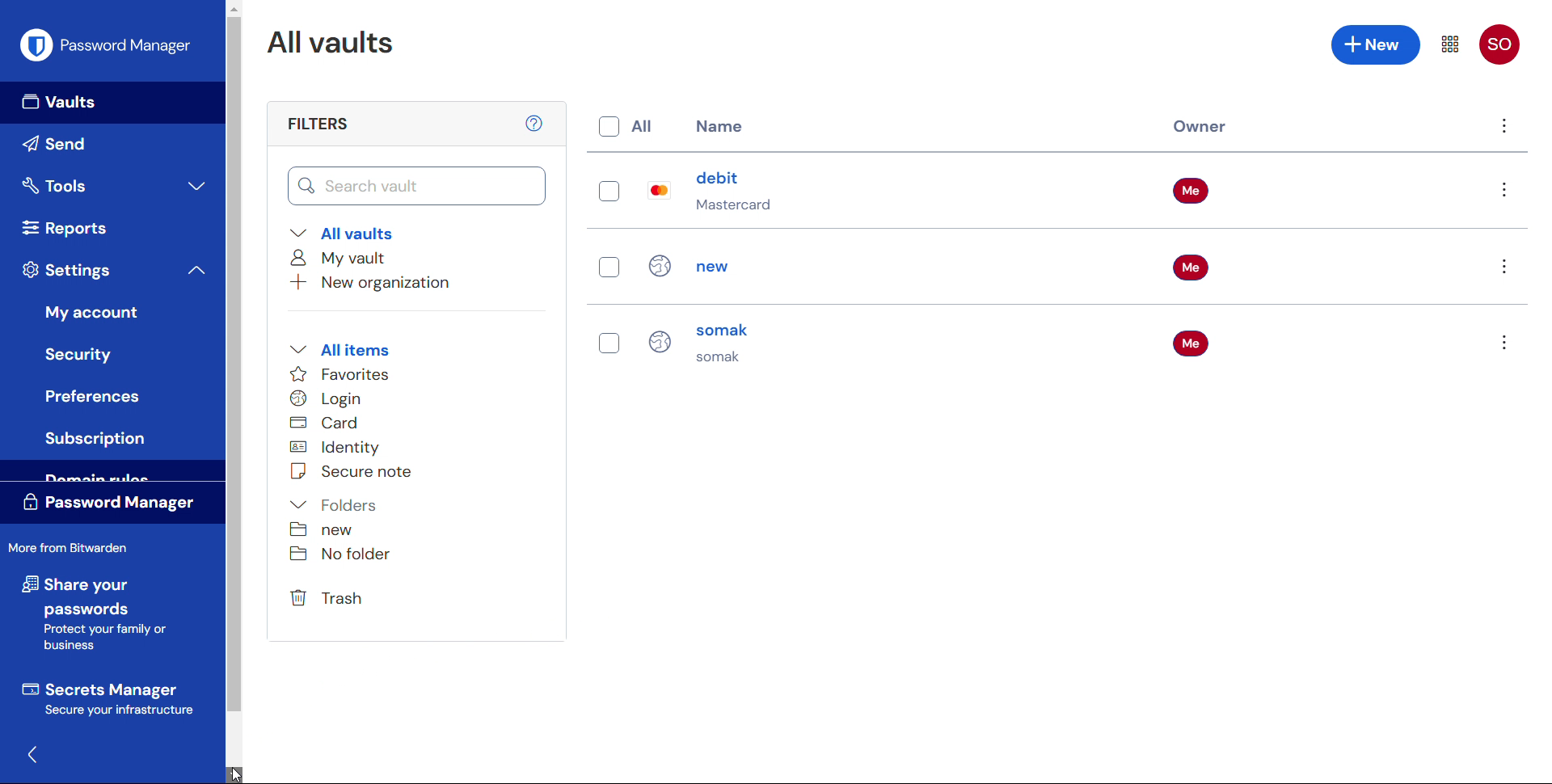  What do you see at coordinates (111, 142) in the screenshot?
I see `send ` at bounding box center [111, 142].